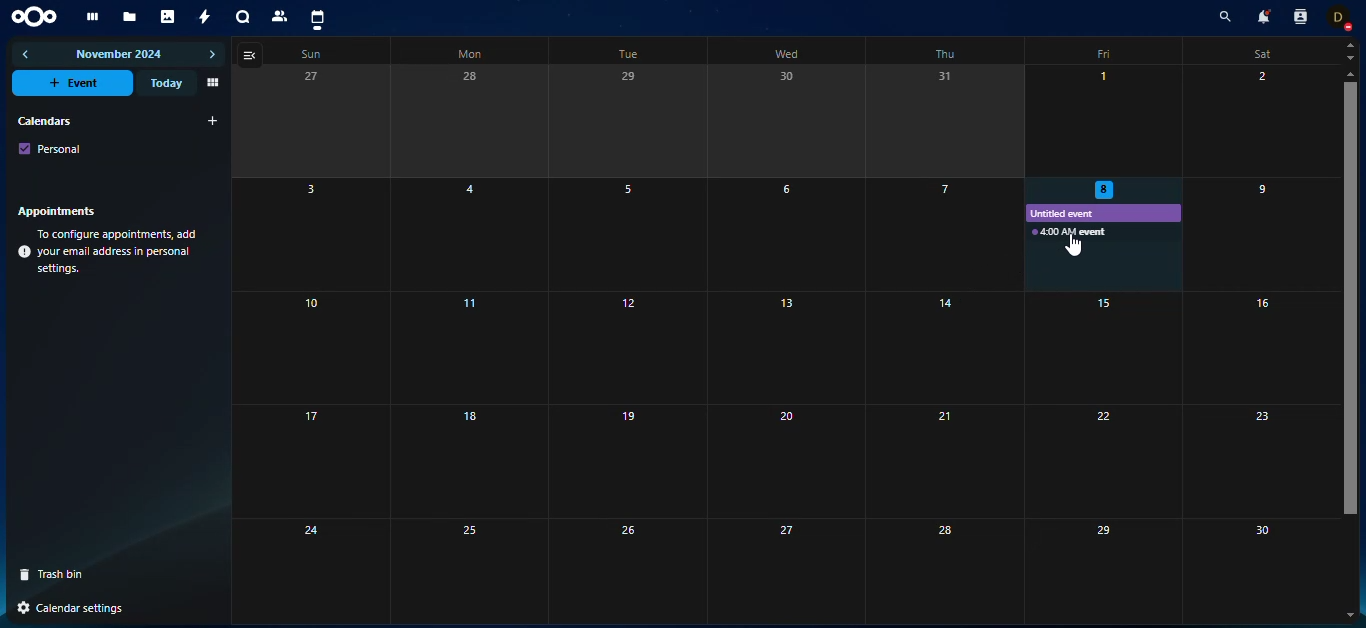 The width and height of the screenshot is (1366, 628). I want to click on dashboard, so click(90, 17).